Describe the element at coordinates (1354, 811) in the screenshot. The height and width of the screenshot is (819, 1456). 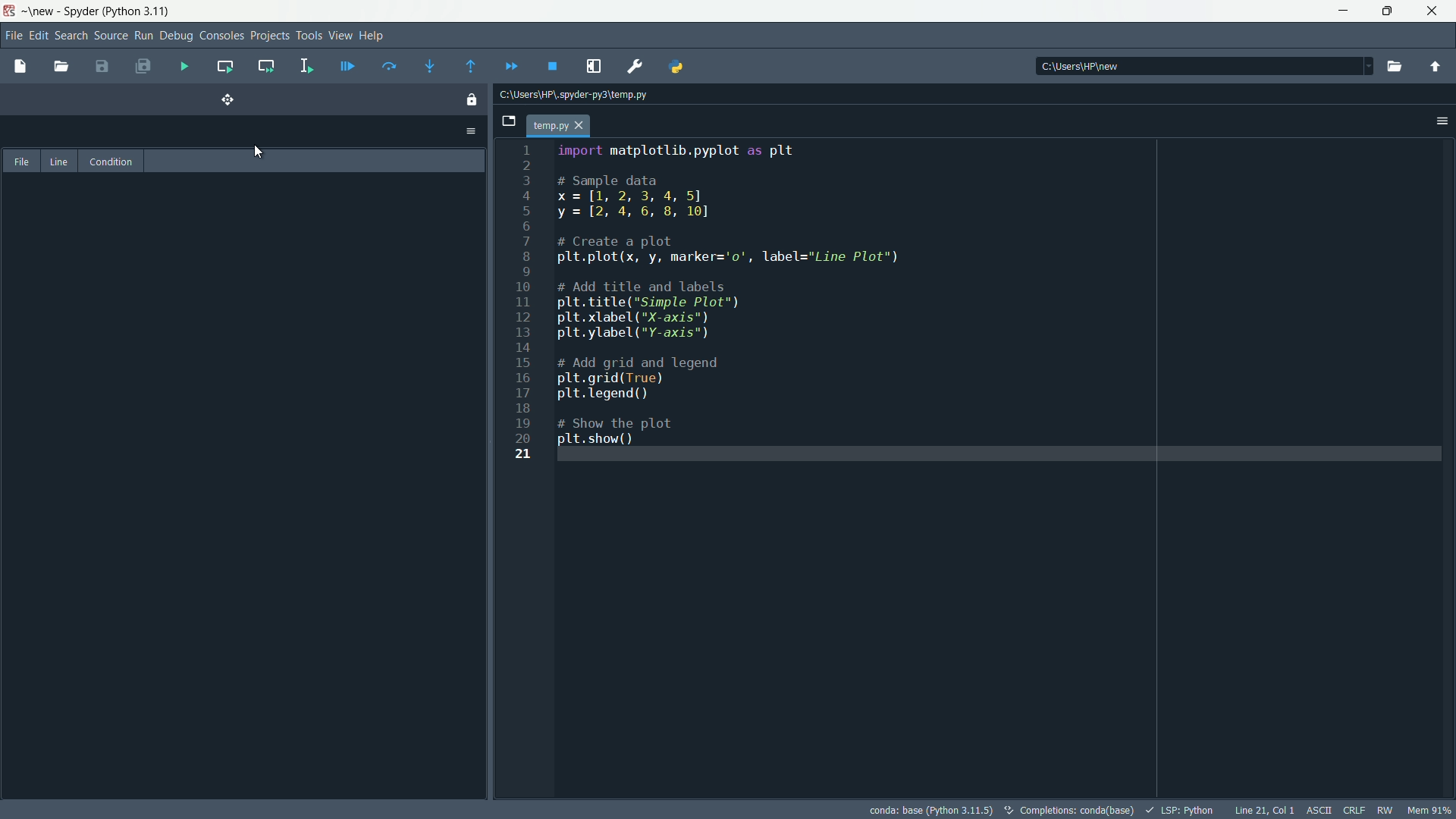
I see `CRLF` at that location.